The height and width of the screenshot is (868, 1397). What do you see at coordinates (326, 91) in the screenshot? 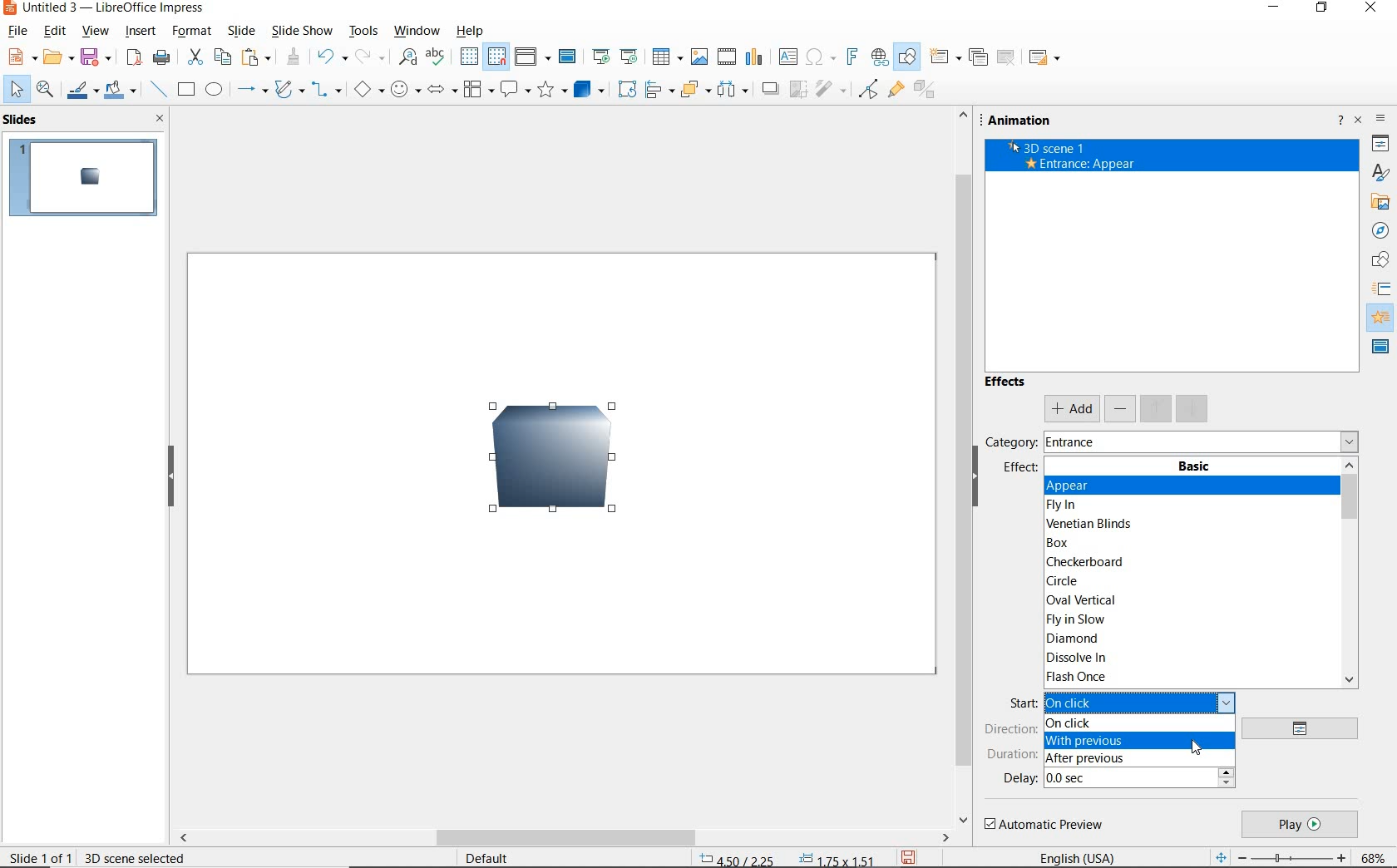
I see `connectors` at bounding box center [326, 91].